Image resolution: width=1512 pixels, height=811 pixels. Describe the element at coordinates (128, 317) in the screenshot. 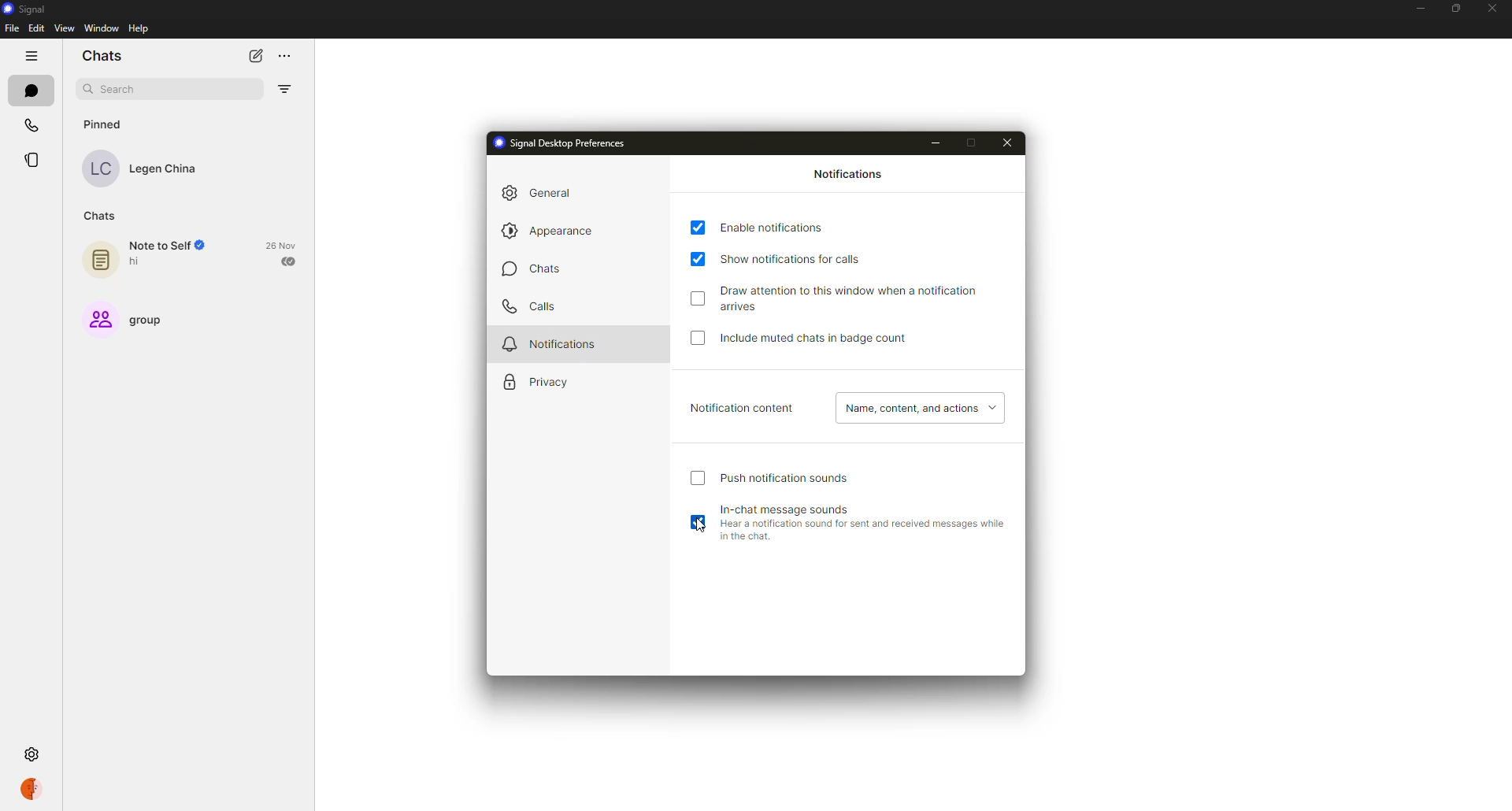

I see `group` at that location.